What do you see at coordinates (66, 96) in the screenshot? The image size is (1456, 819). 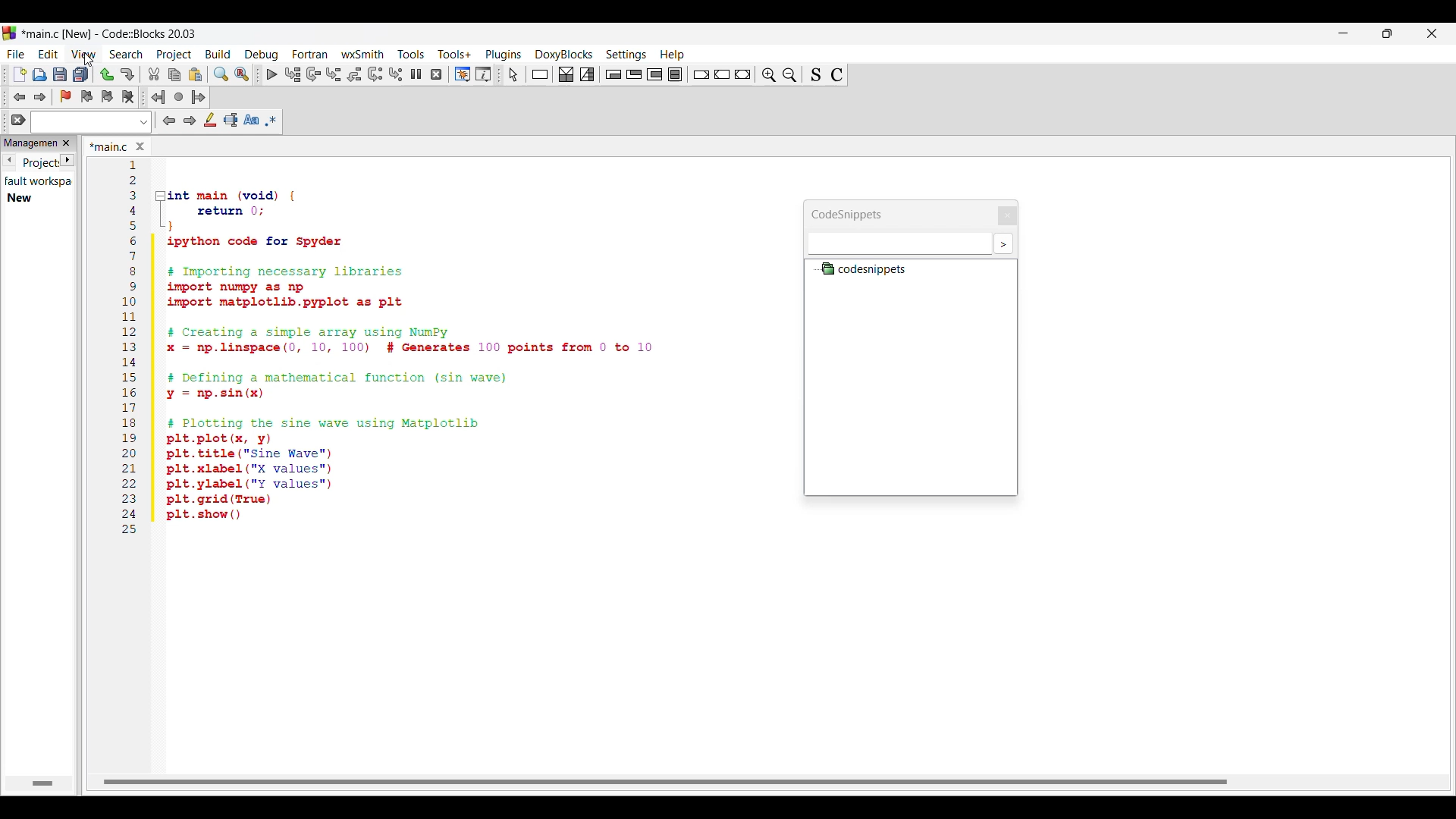 I see `Toggle bookmark` at bounding box center [66, 96].